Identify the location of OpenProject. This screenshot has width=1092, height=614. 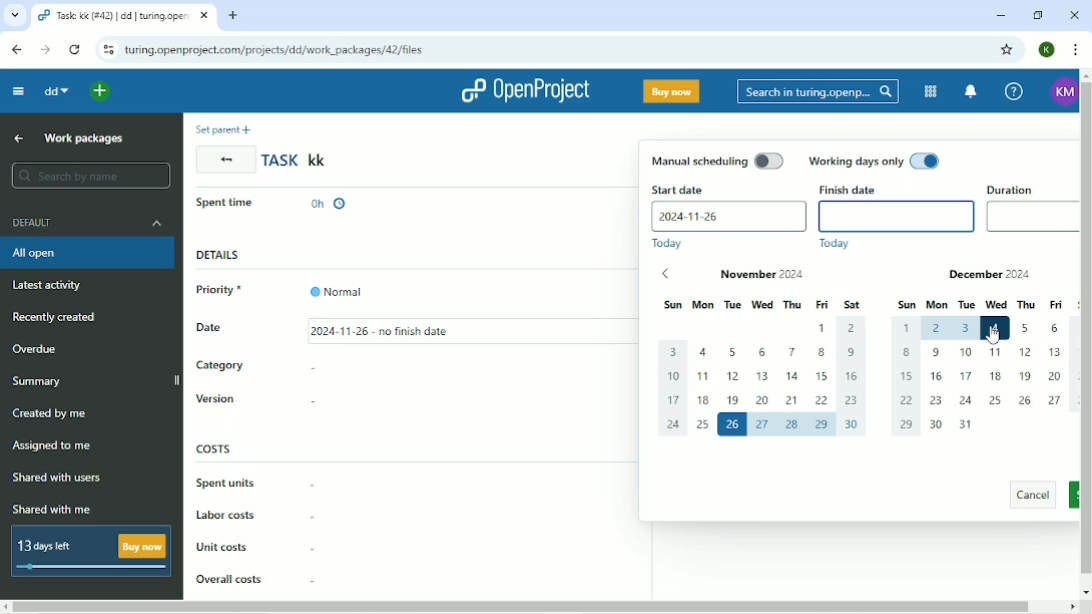
(524, 91).